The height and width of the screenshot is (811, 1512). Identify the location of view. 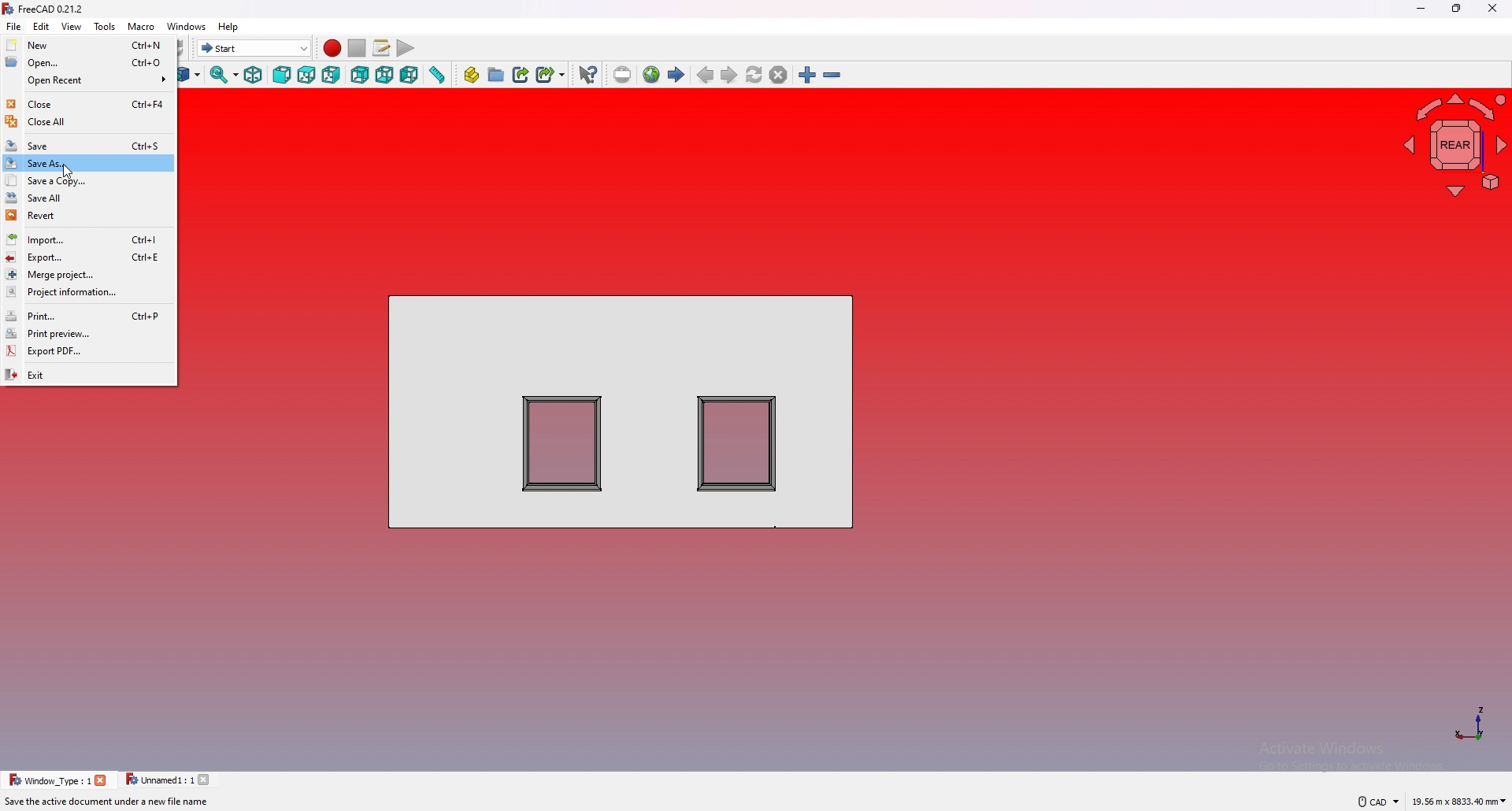
(70, 26).